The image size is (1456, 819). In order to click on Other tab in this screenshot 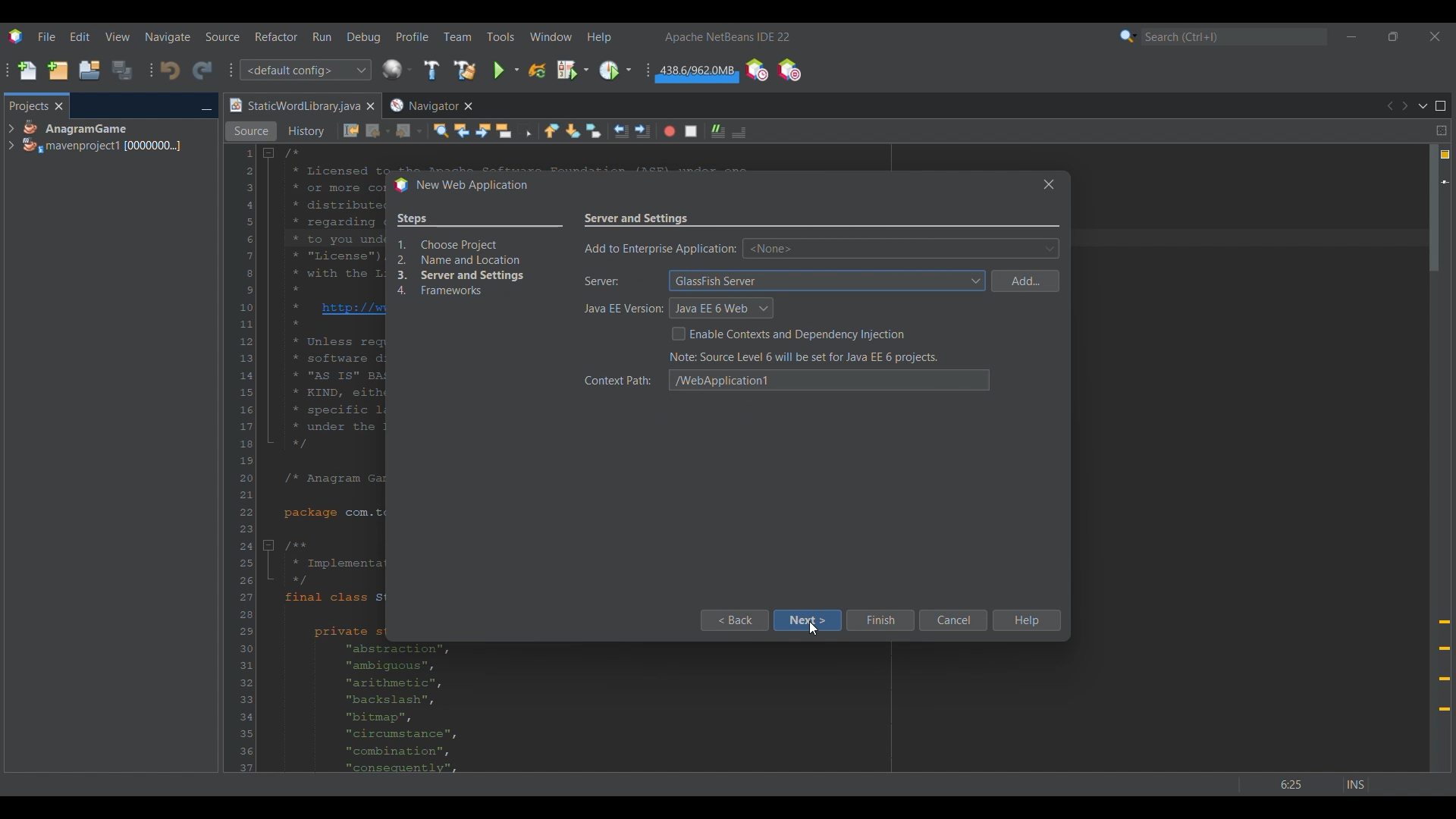, I will do `click(430, 105)`.